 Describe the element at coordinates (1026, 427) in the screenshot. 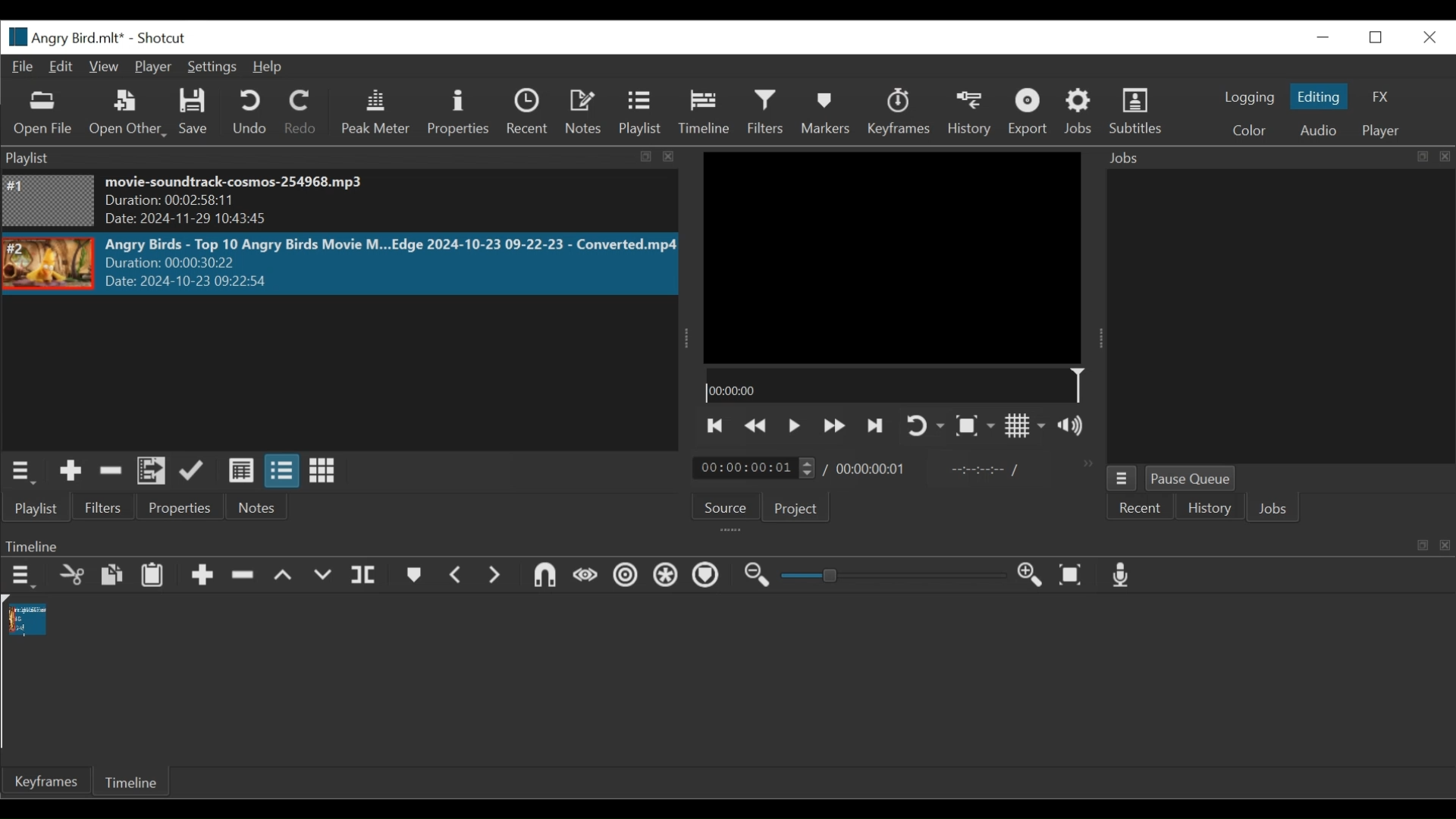

I see `Toggle display grid on the player` at that location.